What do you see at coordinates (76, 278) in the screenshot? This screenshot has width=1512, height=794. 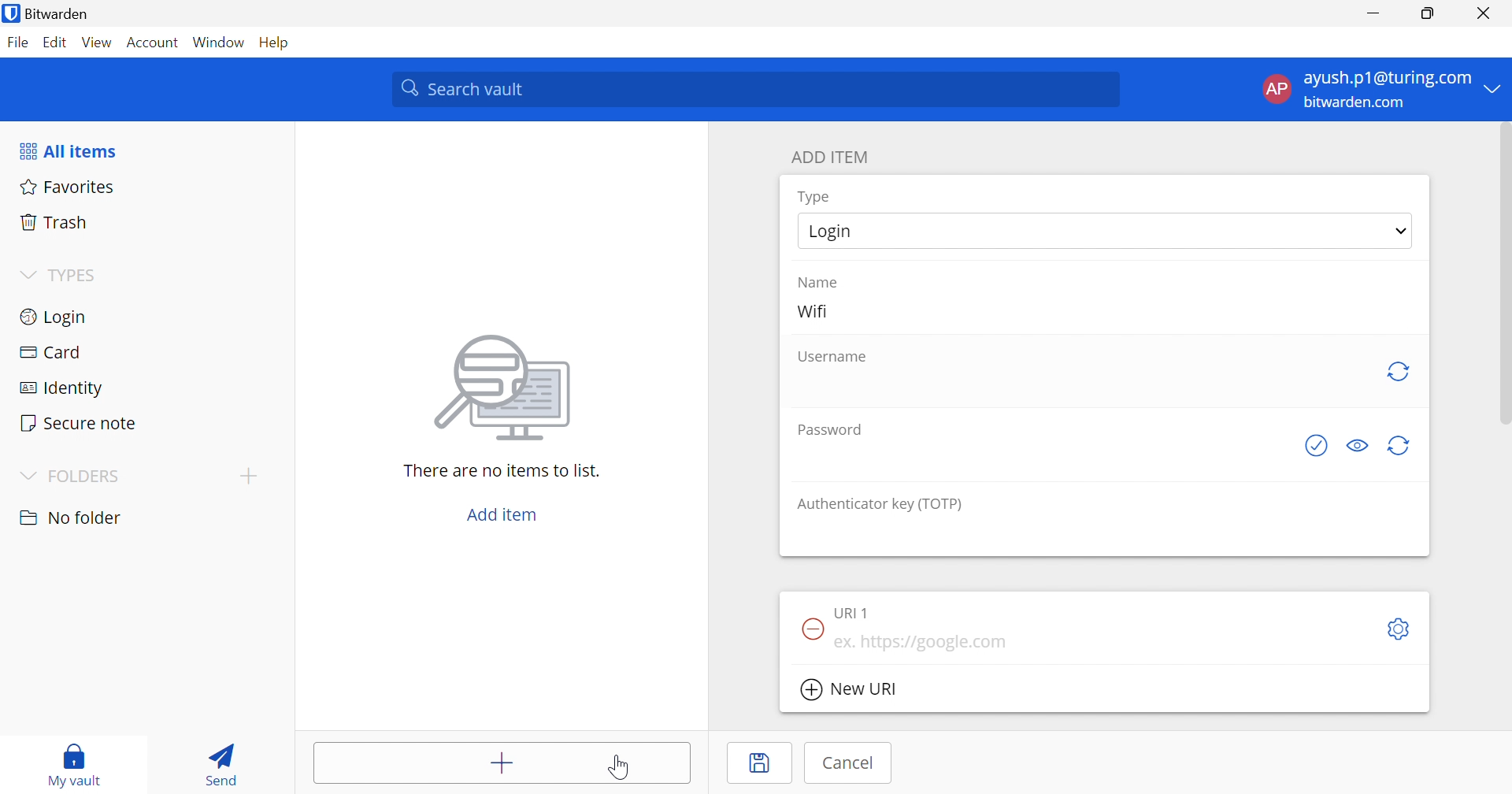 I see `TYPES` at bounding box center [76, 278].